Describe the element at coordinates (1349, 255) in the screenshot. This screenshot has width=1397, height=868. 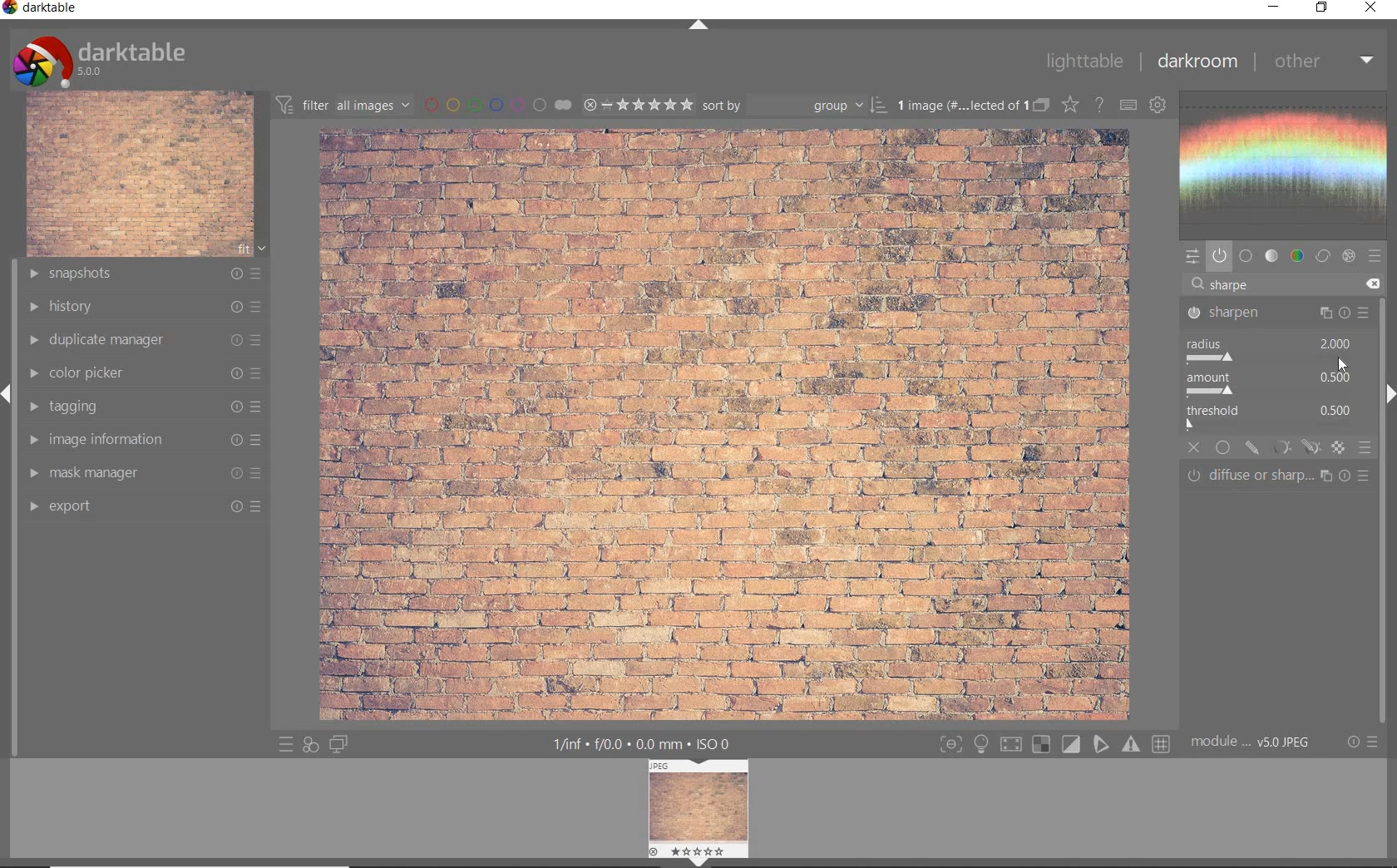
I see `effect` at that location.